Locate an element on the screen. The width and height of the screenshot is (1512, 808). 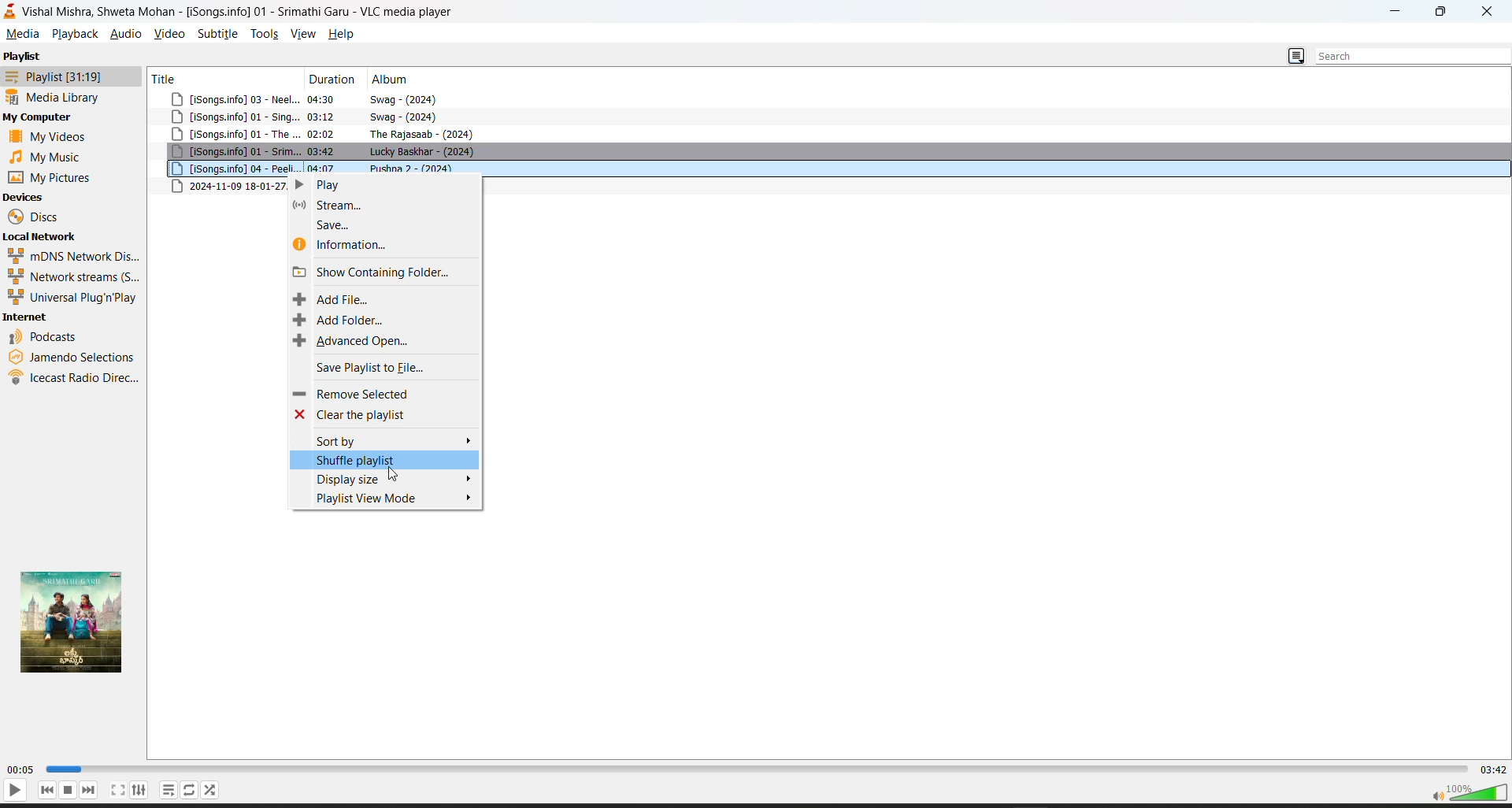
swag-2024 is located at coordinates (409, 98).